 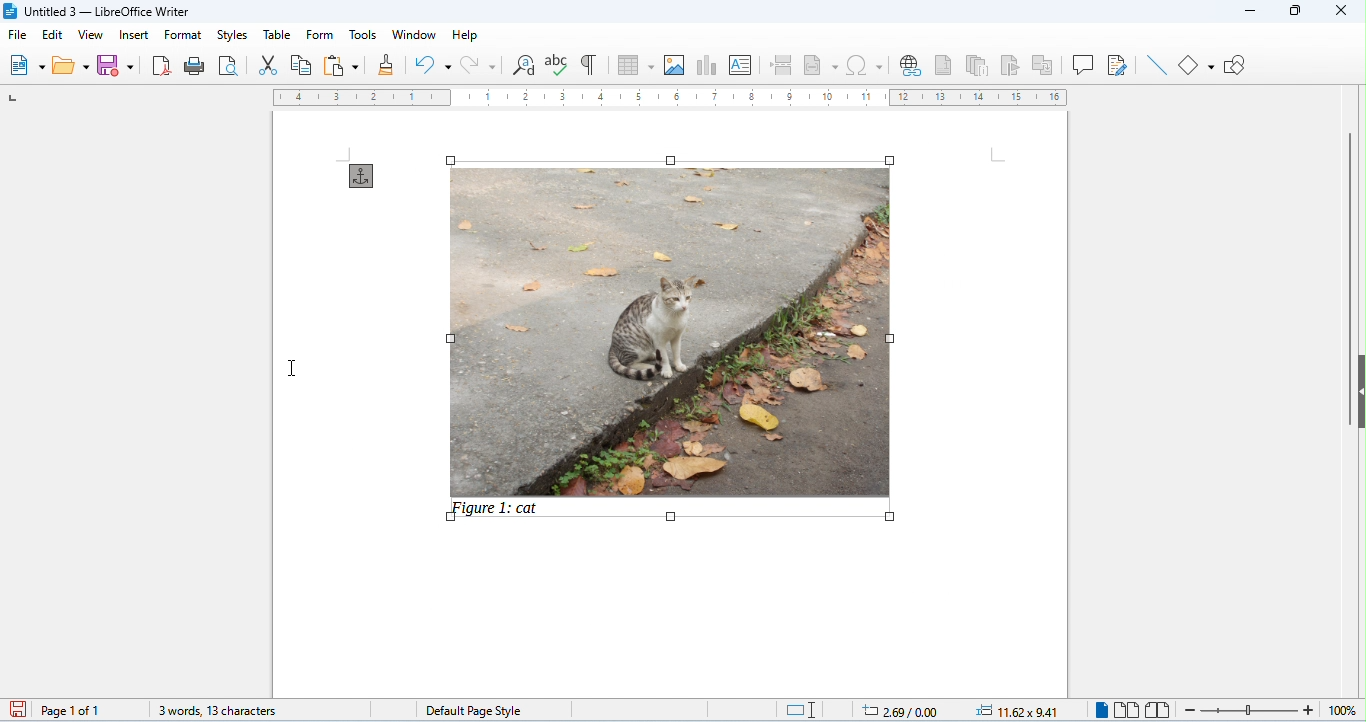 What do you see at coordinates (207, 707) in the screenshot?
I see `word count` at bounding box center [207, 707].